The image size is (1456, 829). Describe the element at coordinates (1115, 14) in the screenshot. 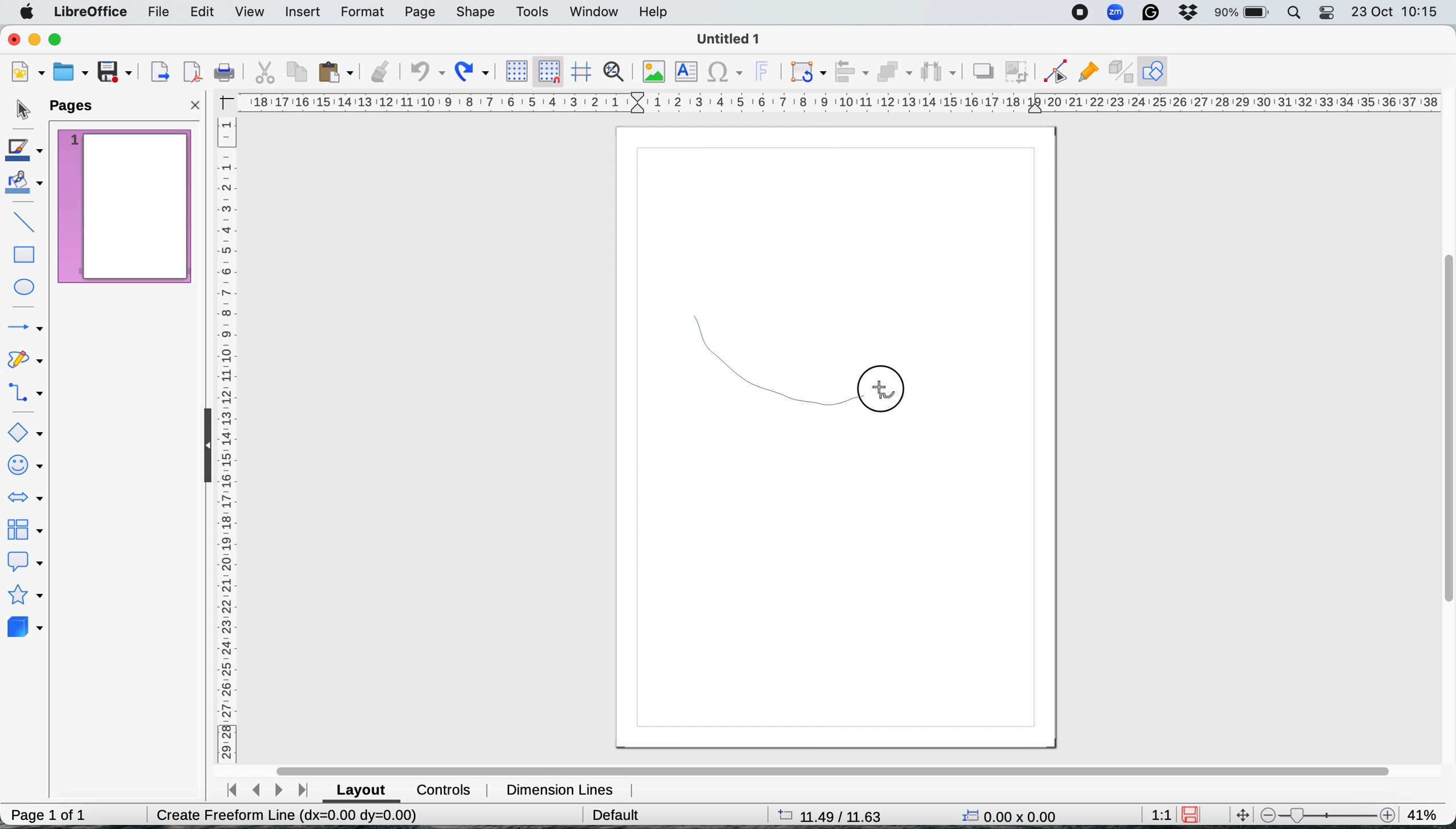

I see `zoom` at that location.